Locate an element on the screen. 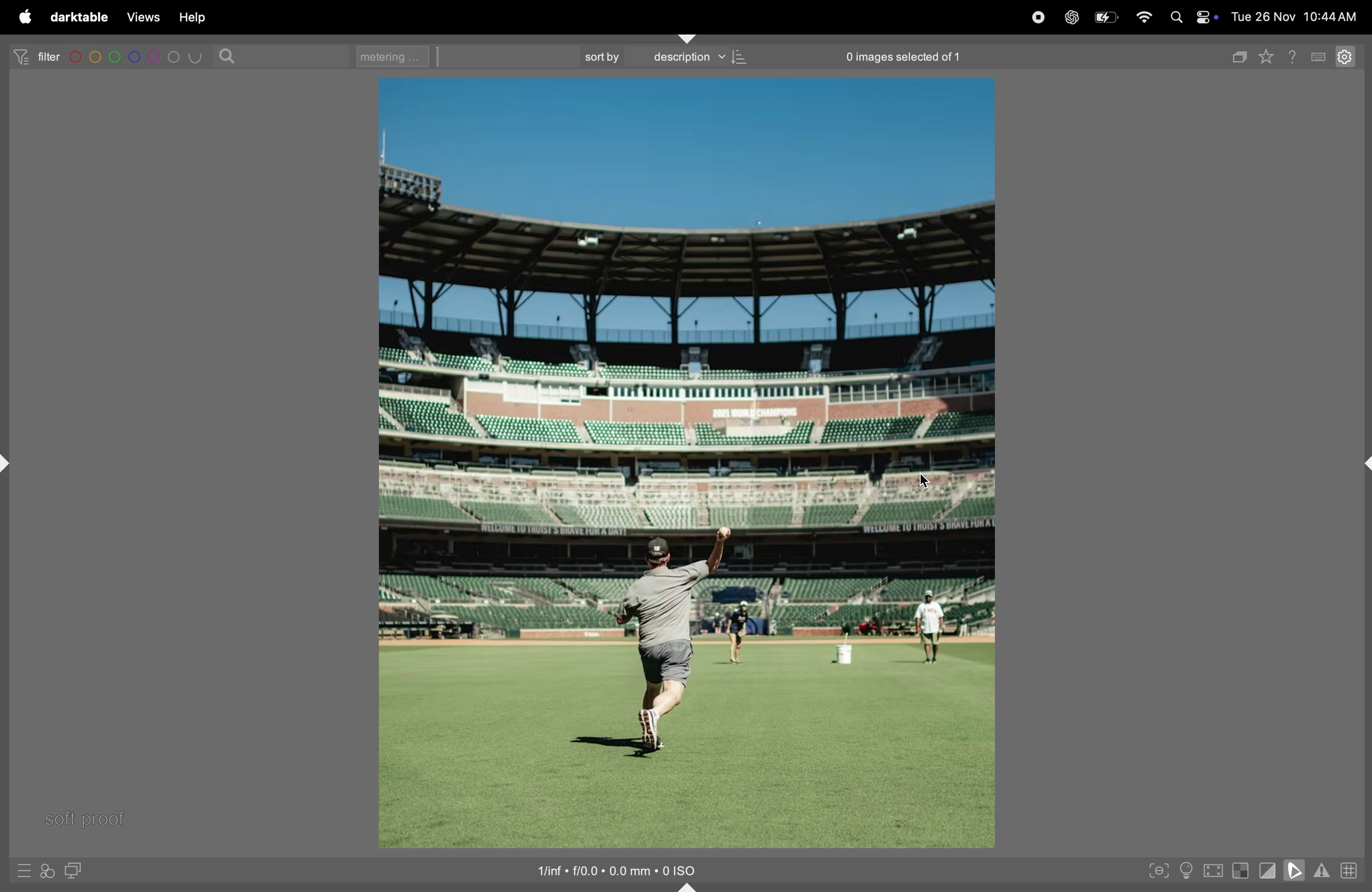 The width and height of the screenshot is (1372, 892). description is located at coordinates (698, 58).